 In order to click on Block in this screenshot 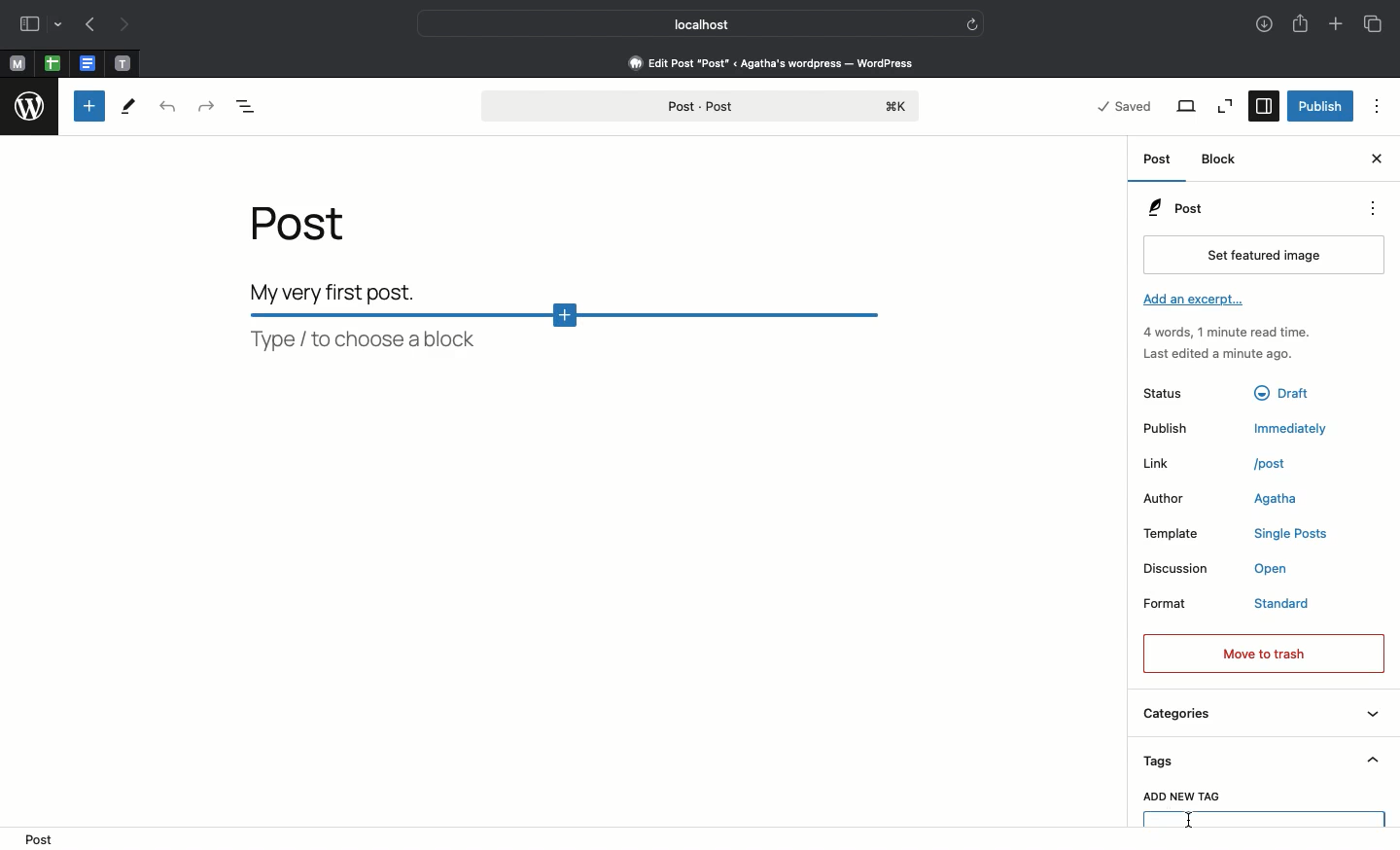, I will do `click(1224, 159)`.